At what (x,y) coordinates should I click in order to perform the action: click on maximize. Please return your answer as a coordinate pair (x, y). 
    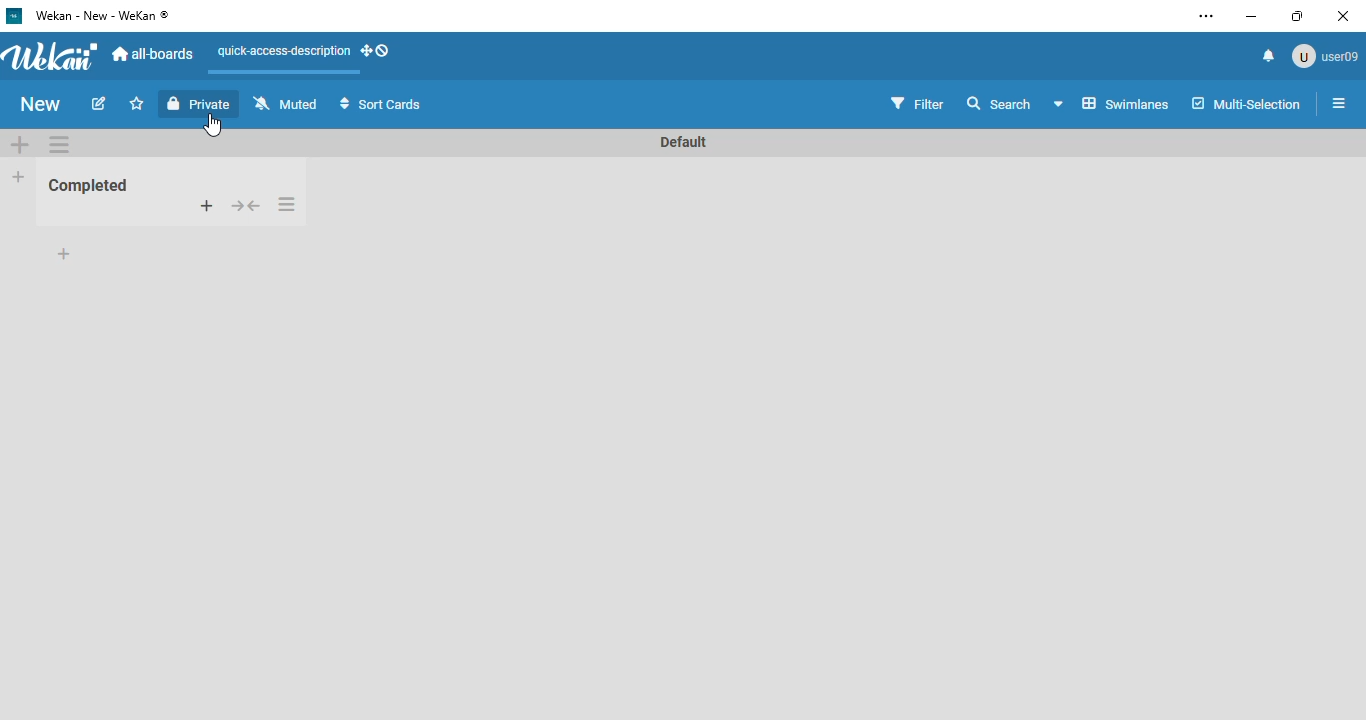
    Looking at the image, I should click on (1298, 16).